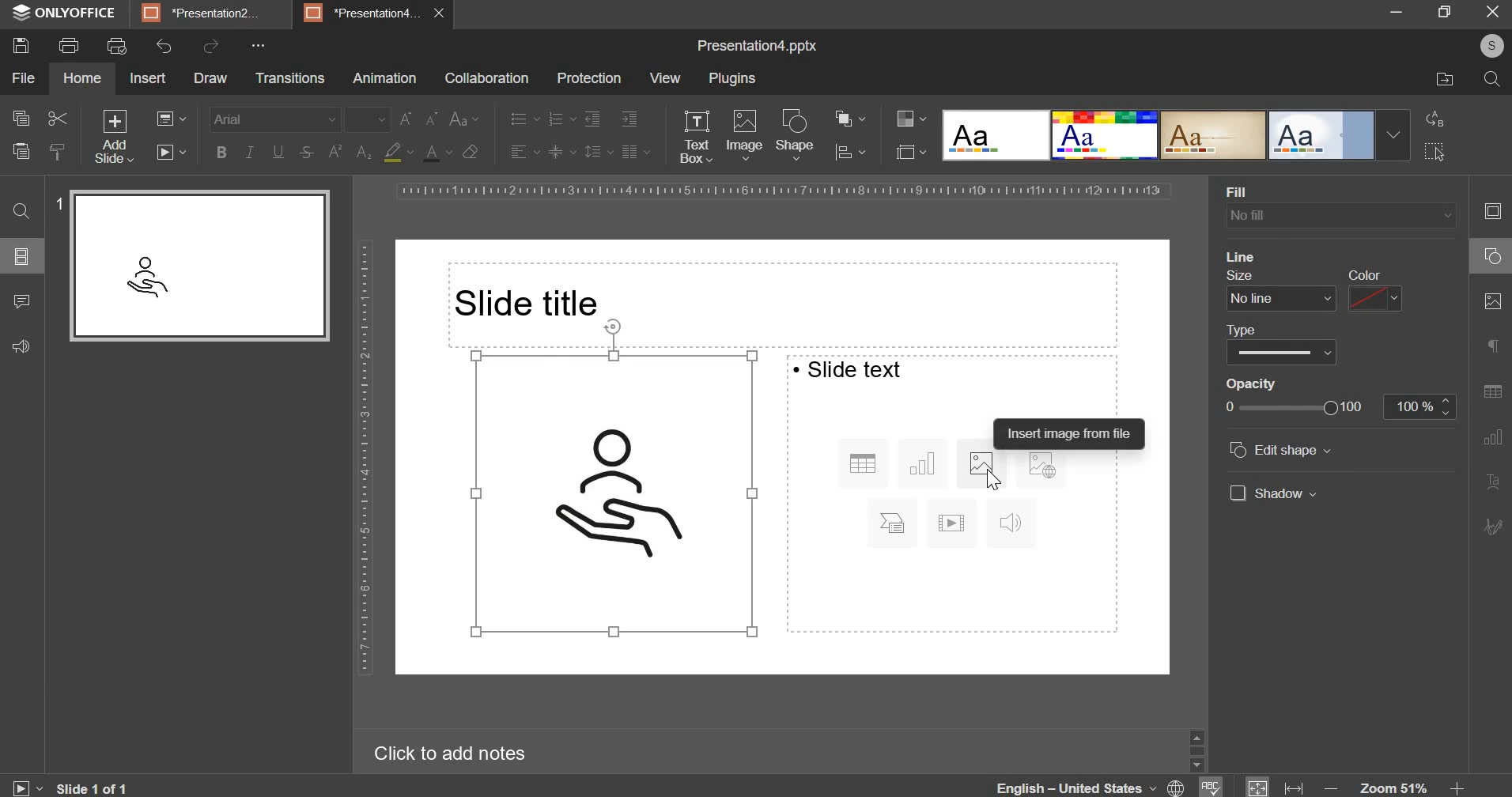  Describe the element at coordinates (306, 153) in the screenshot. I see `strikethrough` at that location.